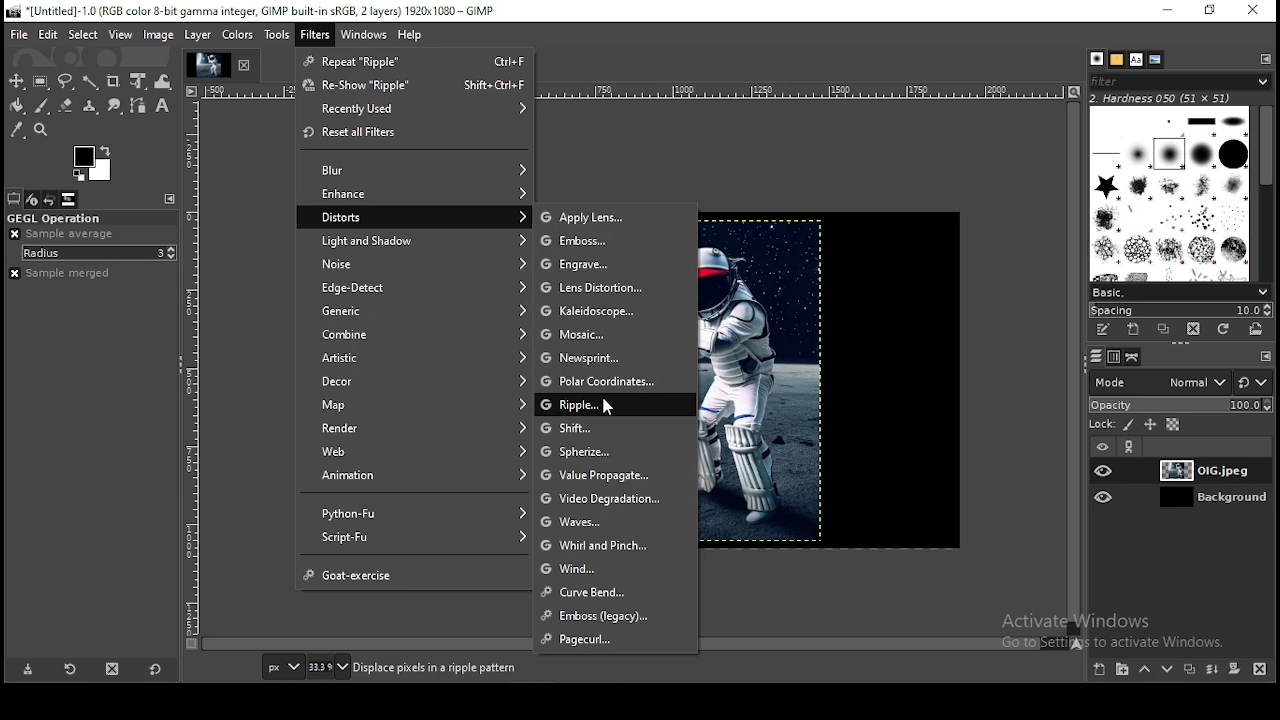 The width and height of the screenshot is (1280, 720). What do you see at coordinates (363, 35) in the screenshot?
I see `windows` at bounding box center [363, 35].